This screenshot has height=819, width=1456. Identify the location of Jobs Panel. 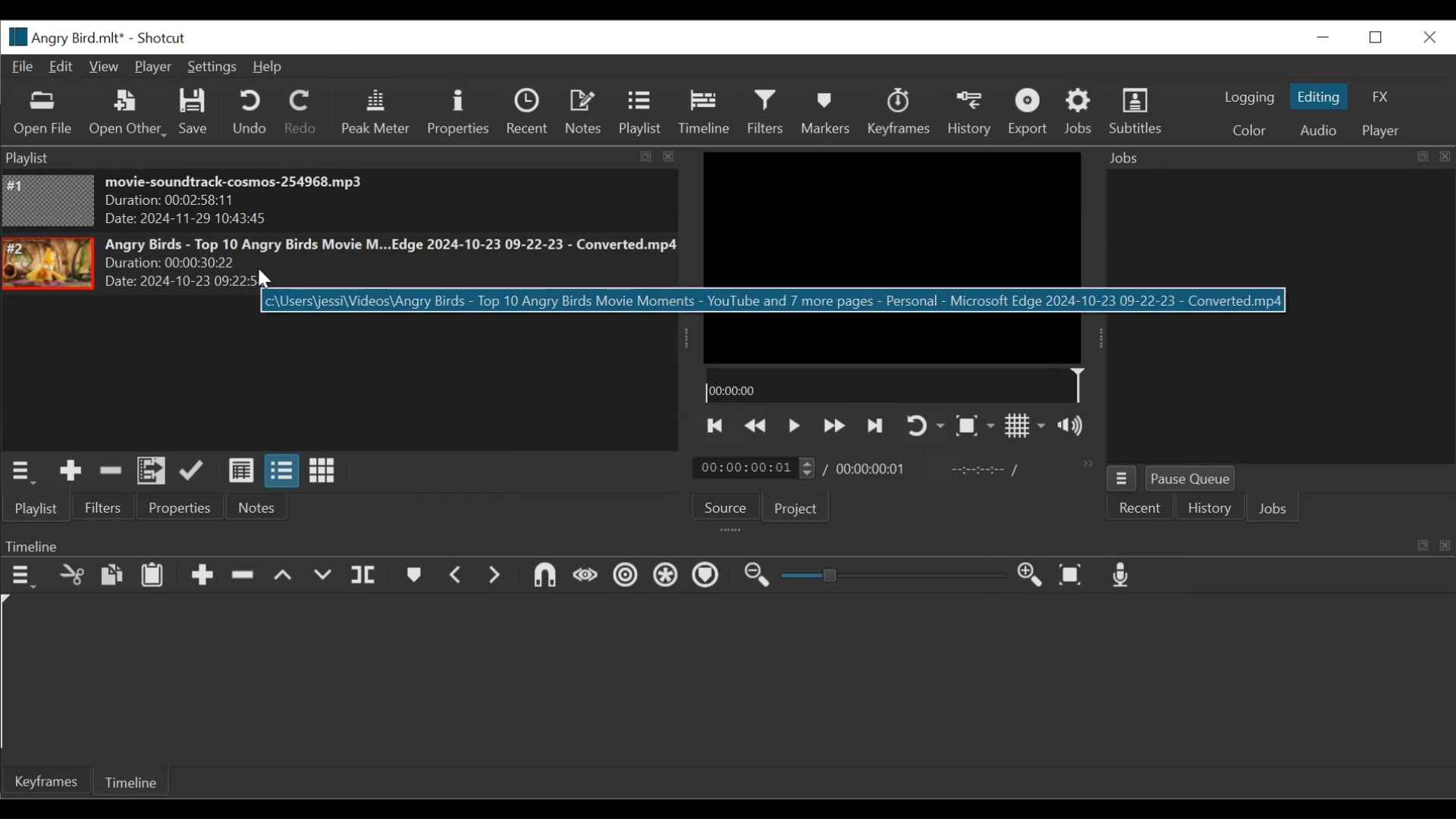
(1272, 158).